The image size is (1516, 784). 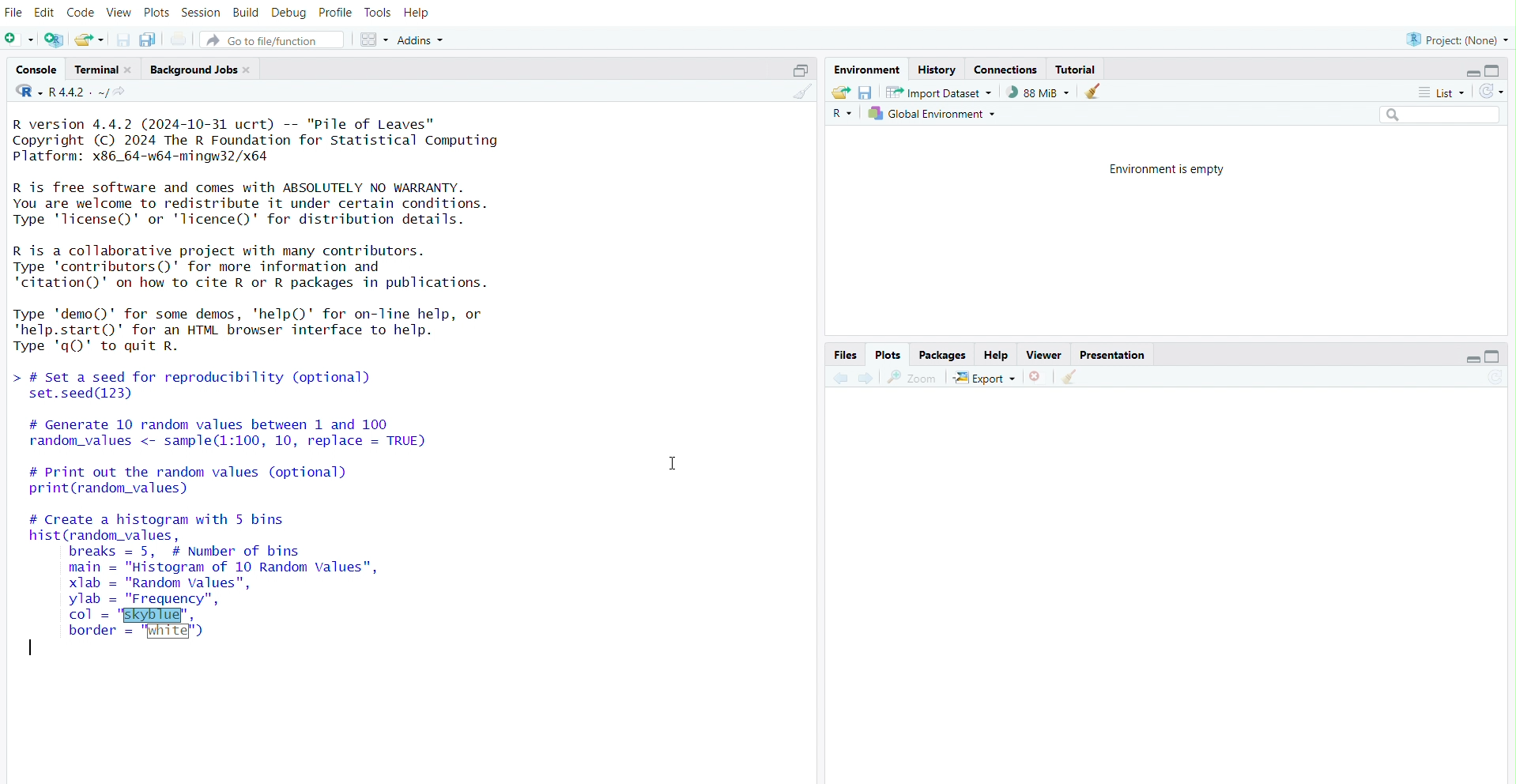 What do you see at coordinates (251, 72) in the screenshot?
I see `close` at bounding box center [251, 72].